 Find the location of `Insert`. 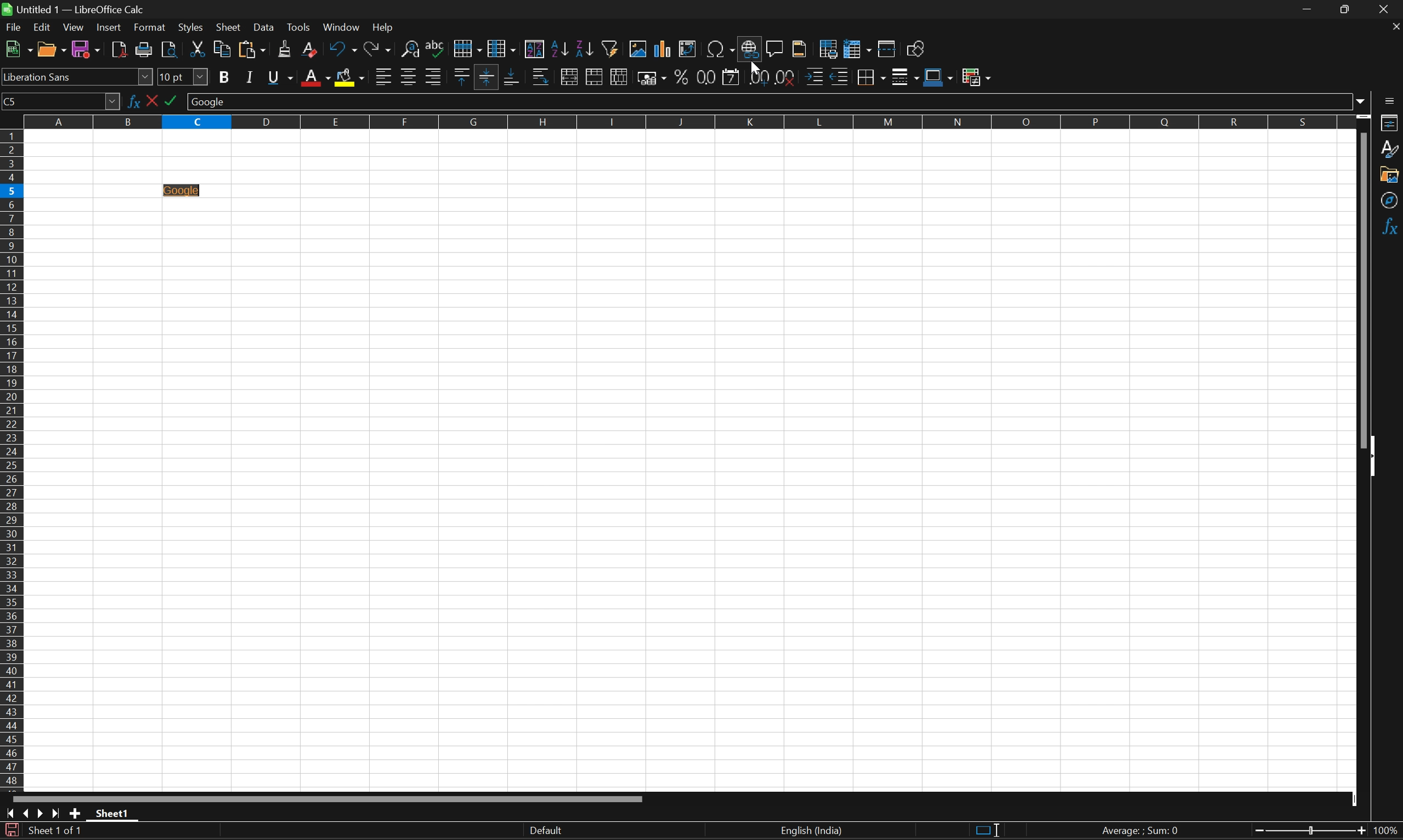

Insert is located at coordinates (110, 27).